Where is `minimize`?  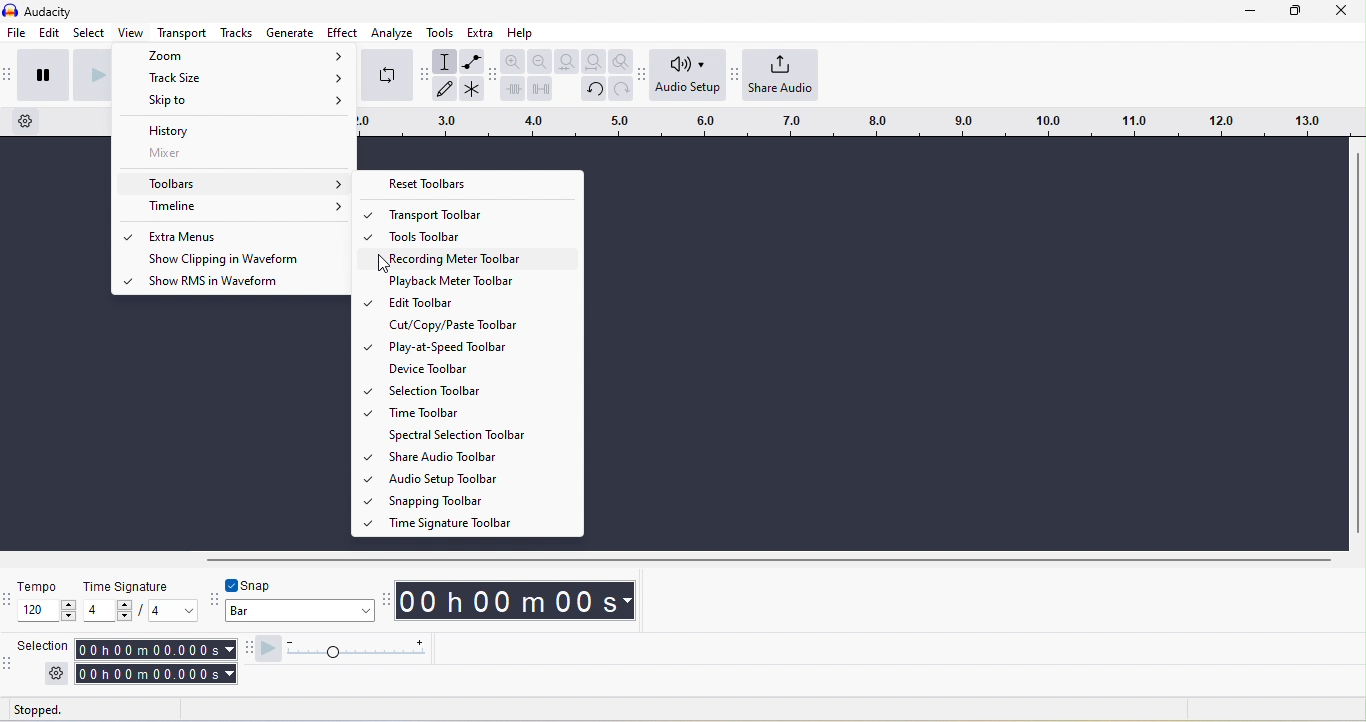 minimize is located at coordinates (1250, 11).